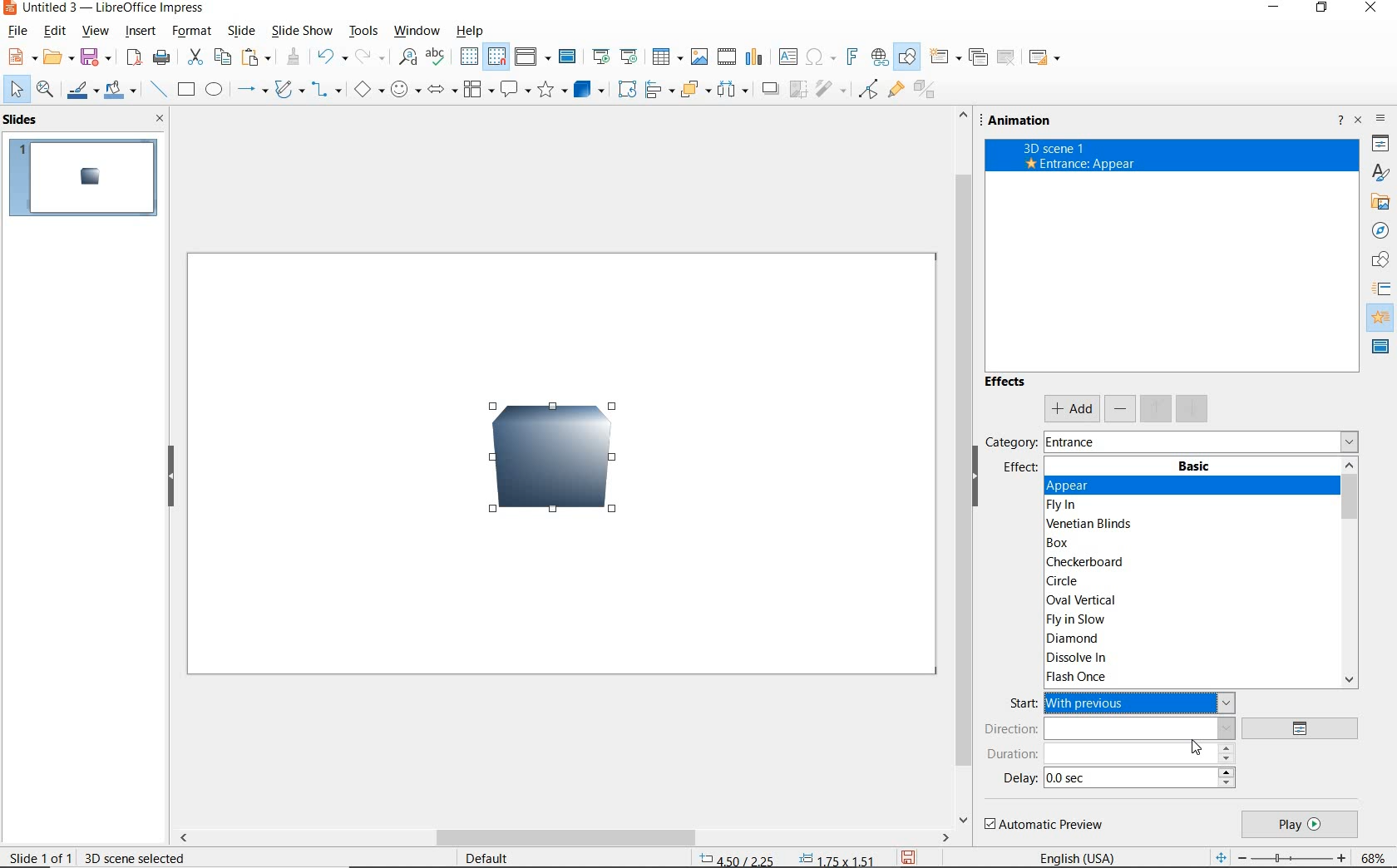 Image resolution: width=1397 pixels, height=868 pixels. What do you see at coordinates (81, 91) in the screenshot?
I see `line color` at bounding box center [81, 91].